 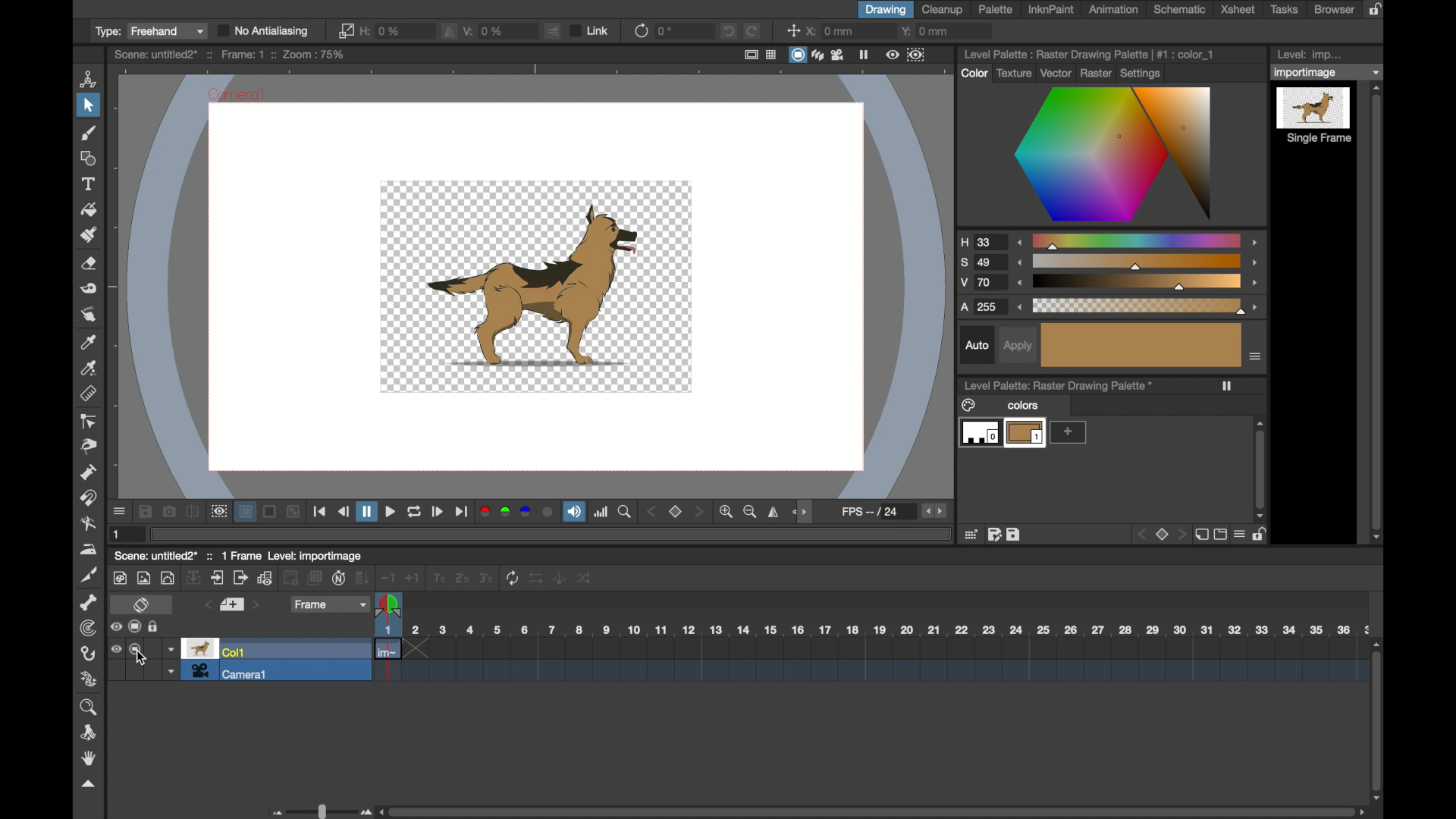 What do you see at coordinates (87, 105) in the screenshot?
I see `selection tool` at bounding box center [87, 105].